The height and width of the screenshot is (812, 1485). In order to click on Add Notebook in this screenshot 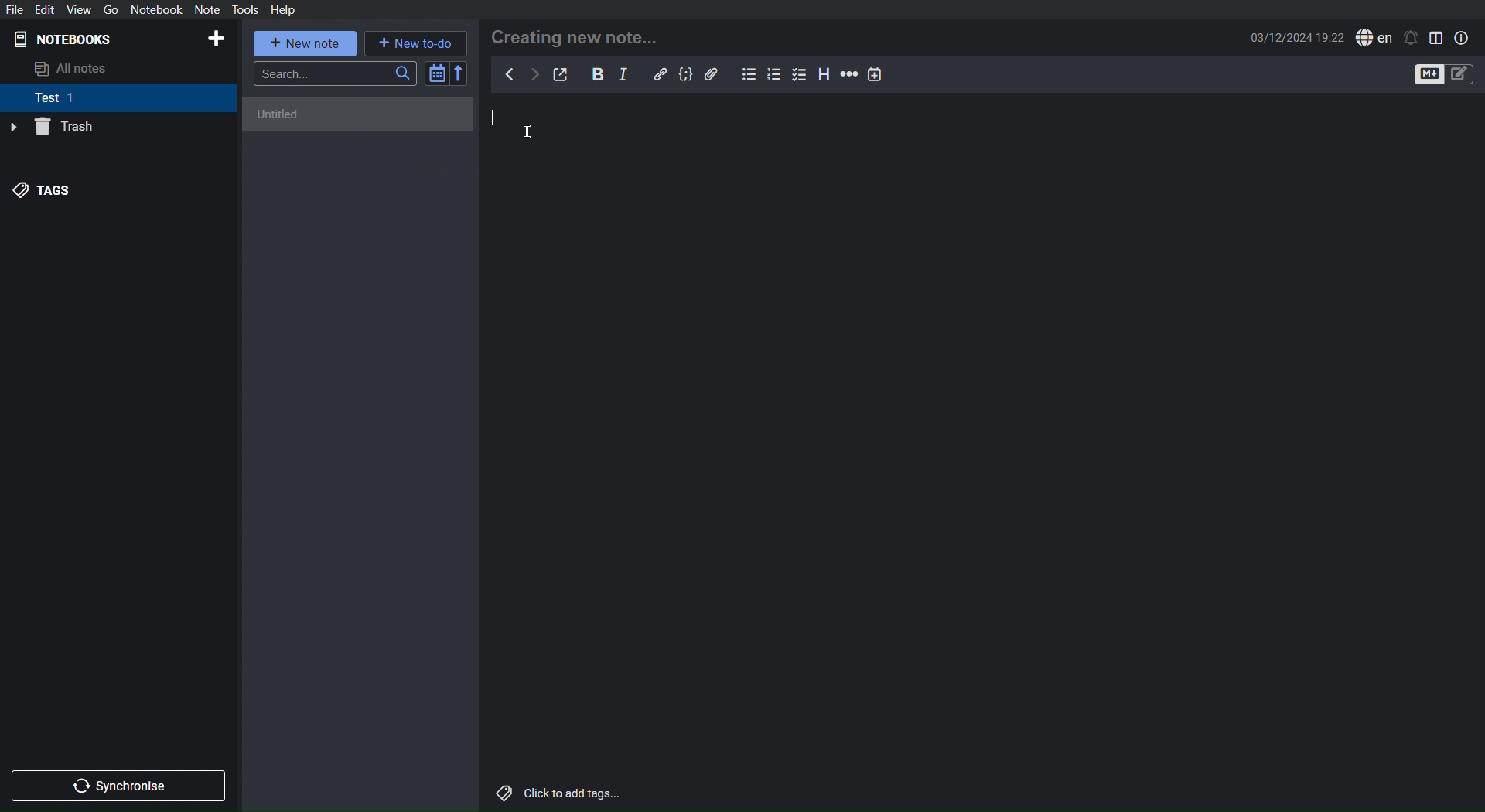, I will do `click(217, 39)`.